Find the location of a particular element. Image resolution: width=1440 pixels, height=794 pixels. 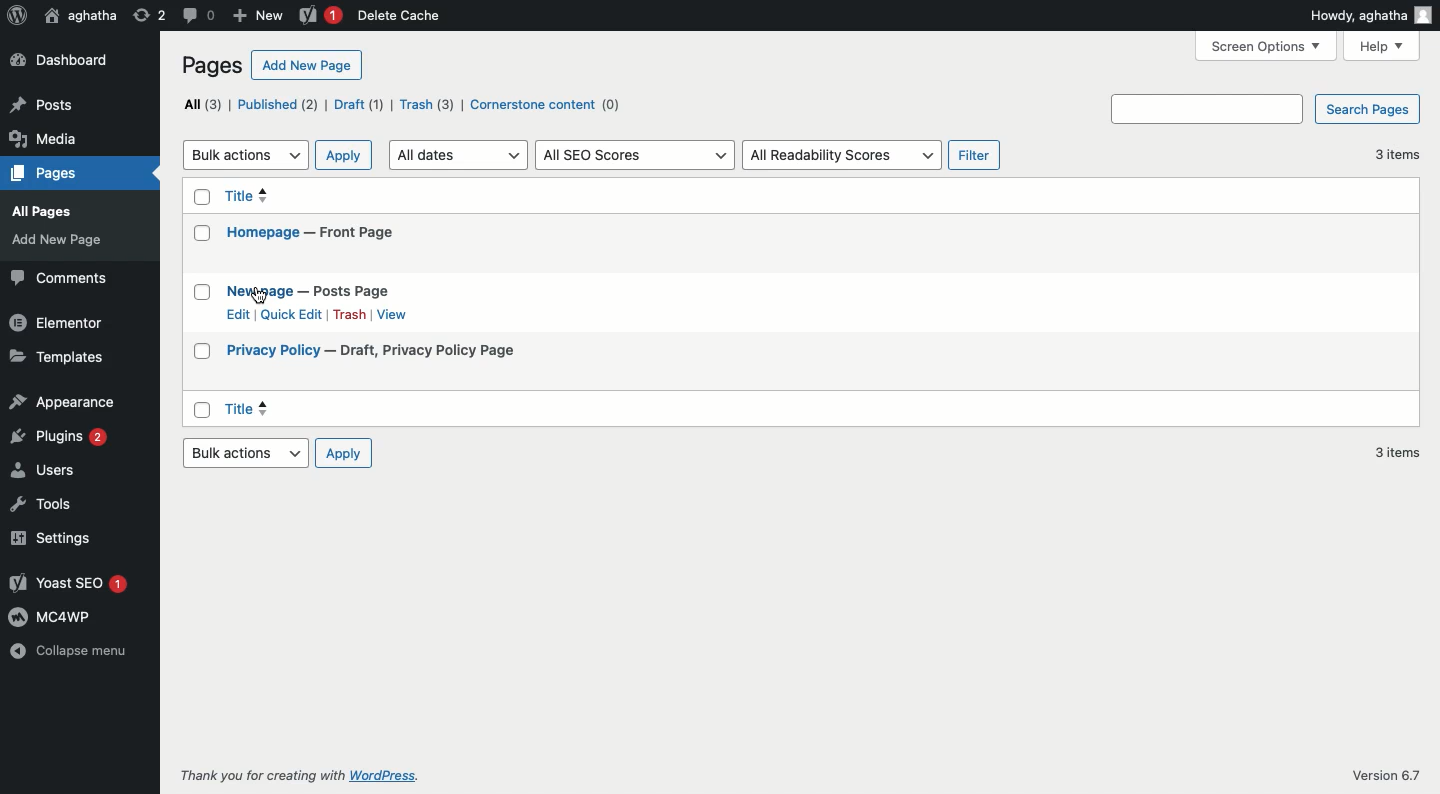

All dates is located at coordinates (459, 153).